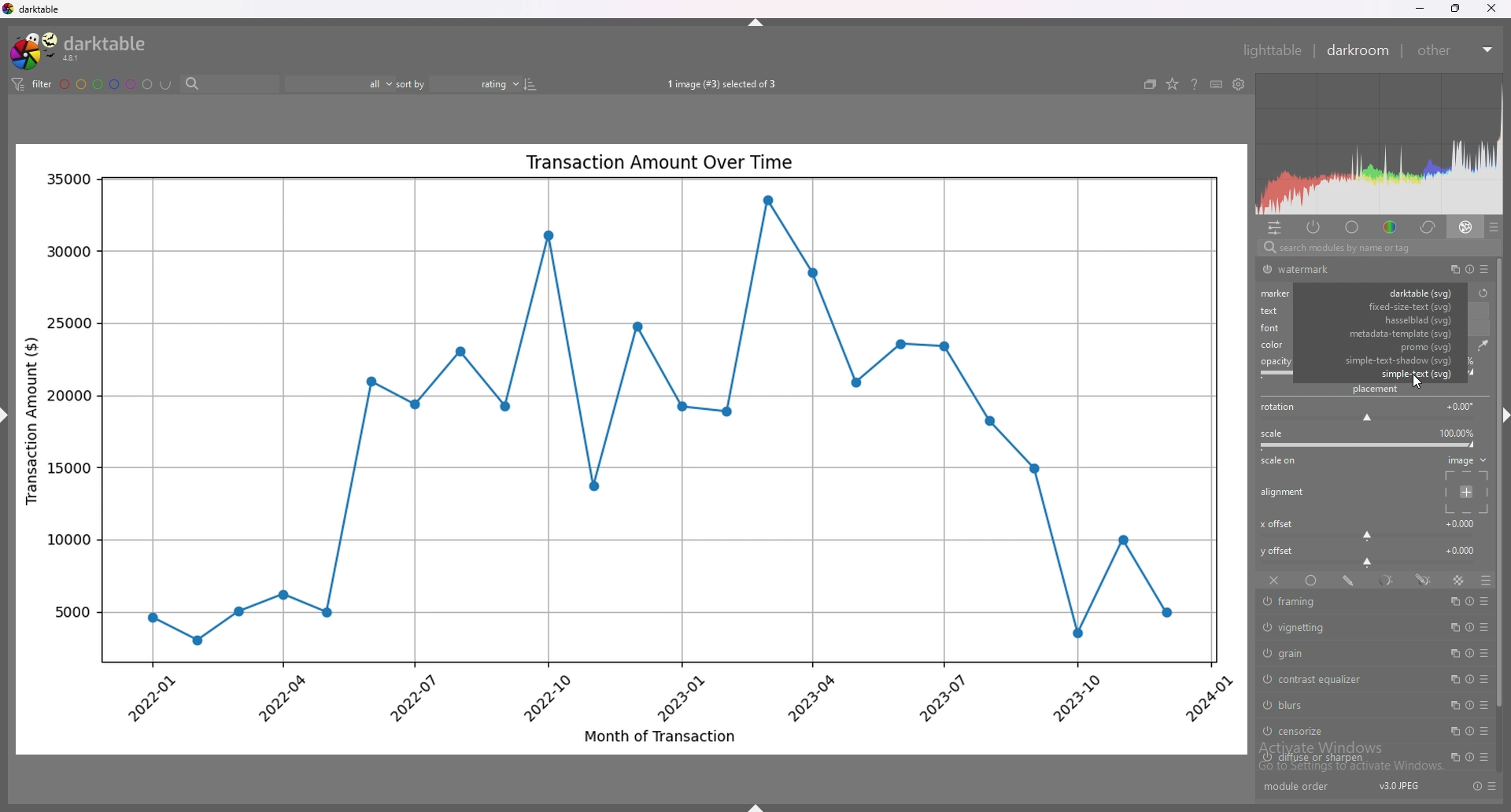 The image size is (1511, 812). I want to click on heat map, so click(1379, 144).